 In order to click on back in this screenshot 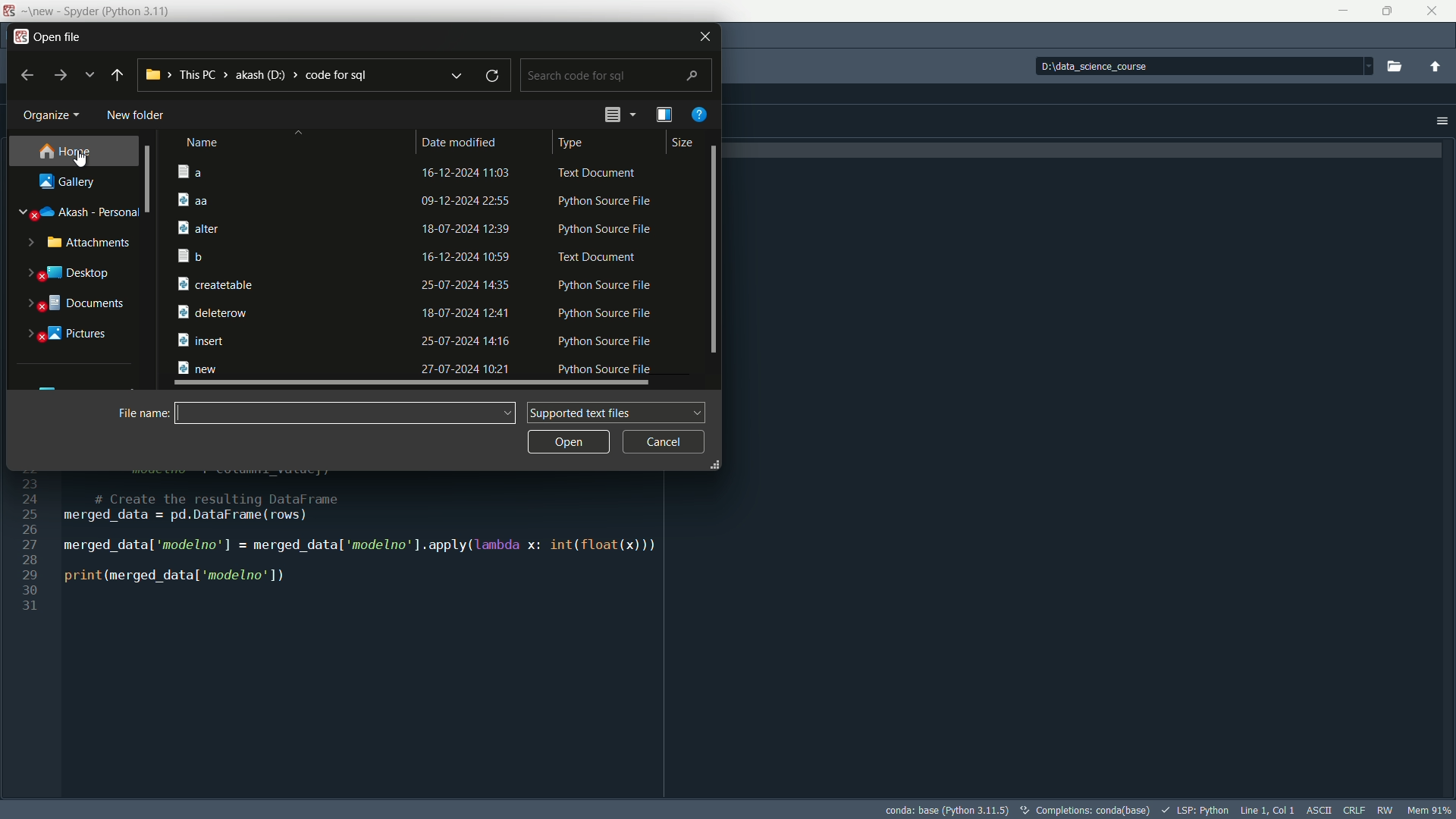, I will do `click(117, 76)`.